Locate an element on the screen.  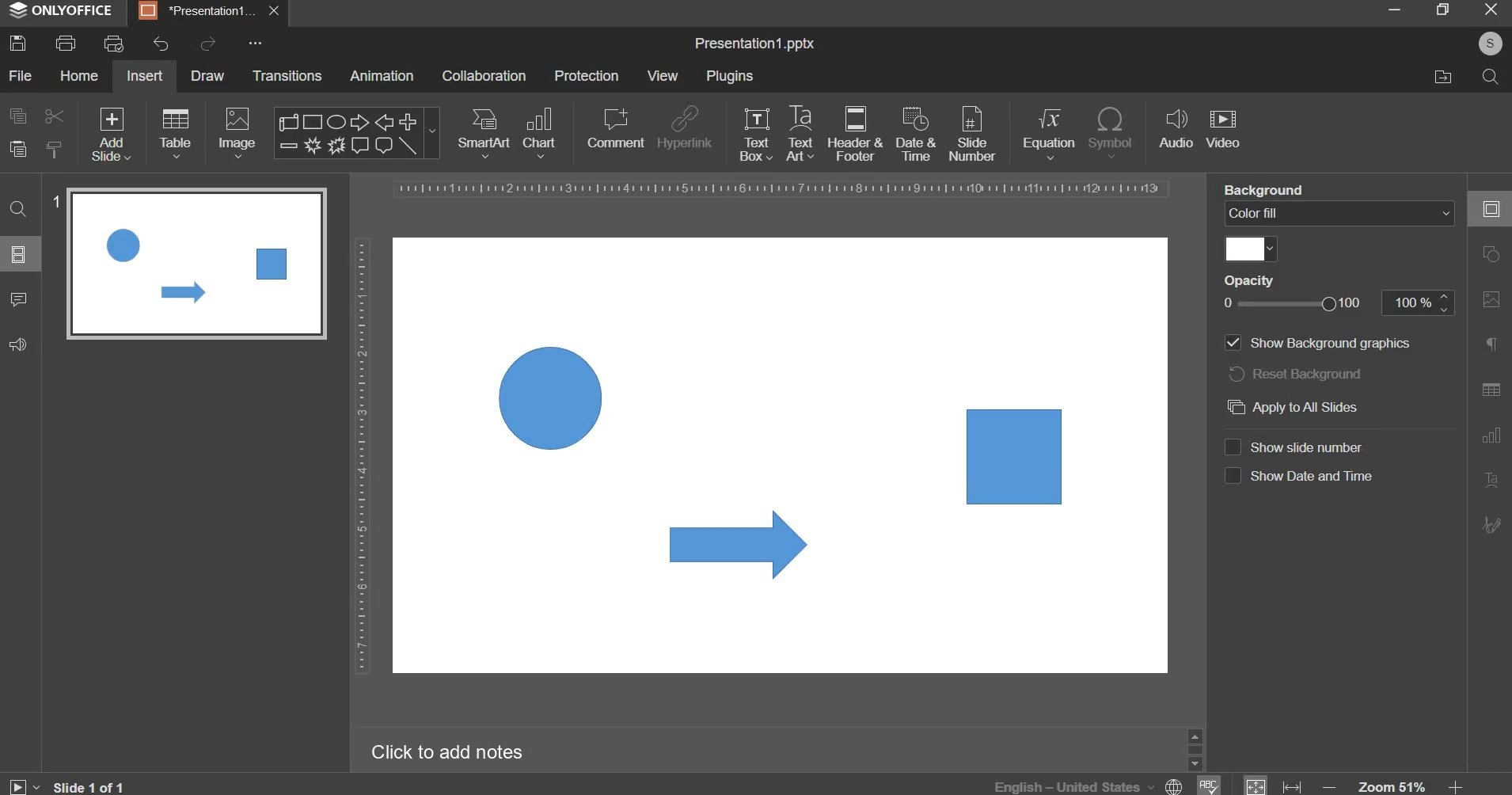
* ONLYOFFICE is located at coordinates (62, 10).